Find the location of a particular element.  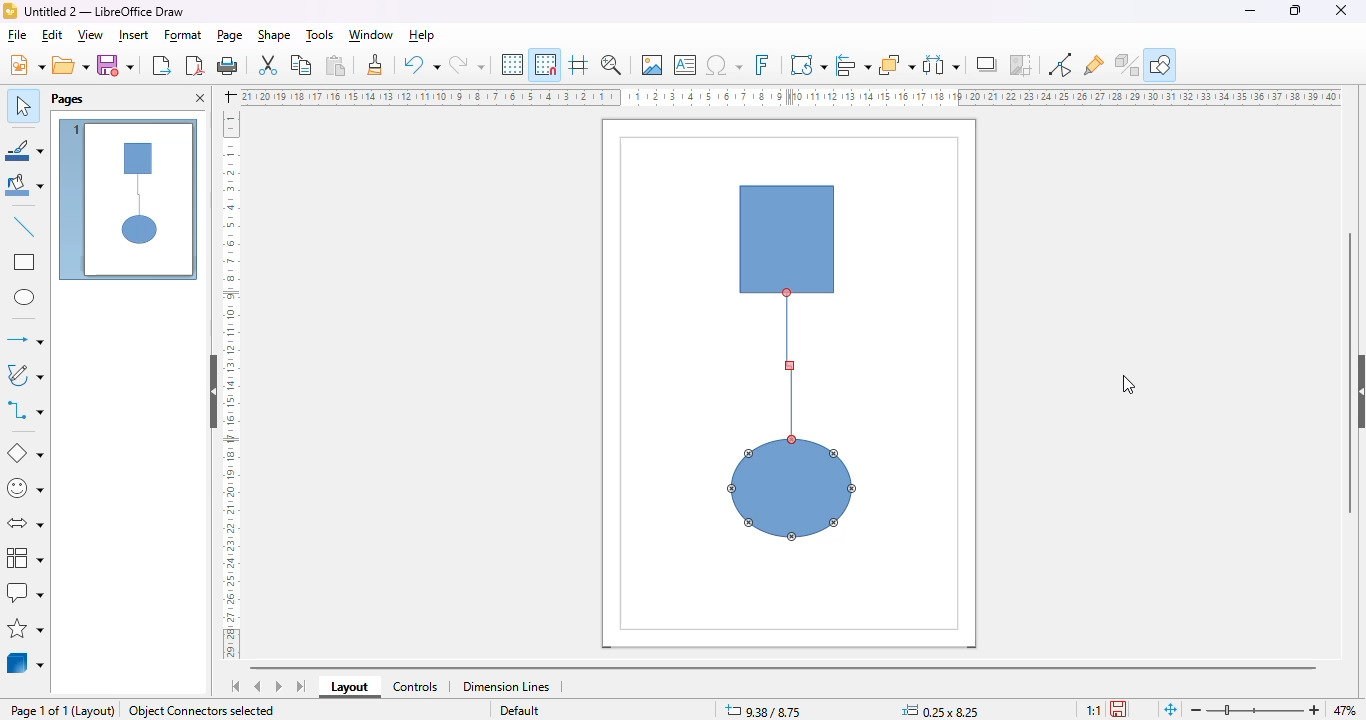

3D objects is located at coordinates (26, 662).